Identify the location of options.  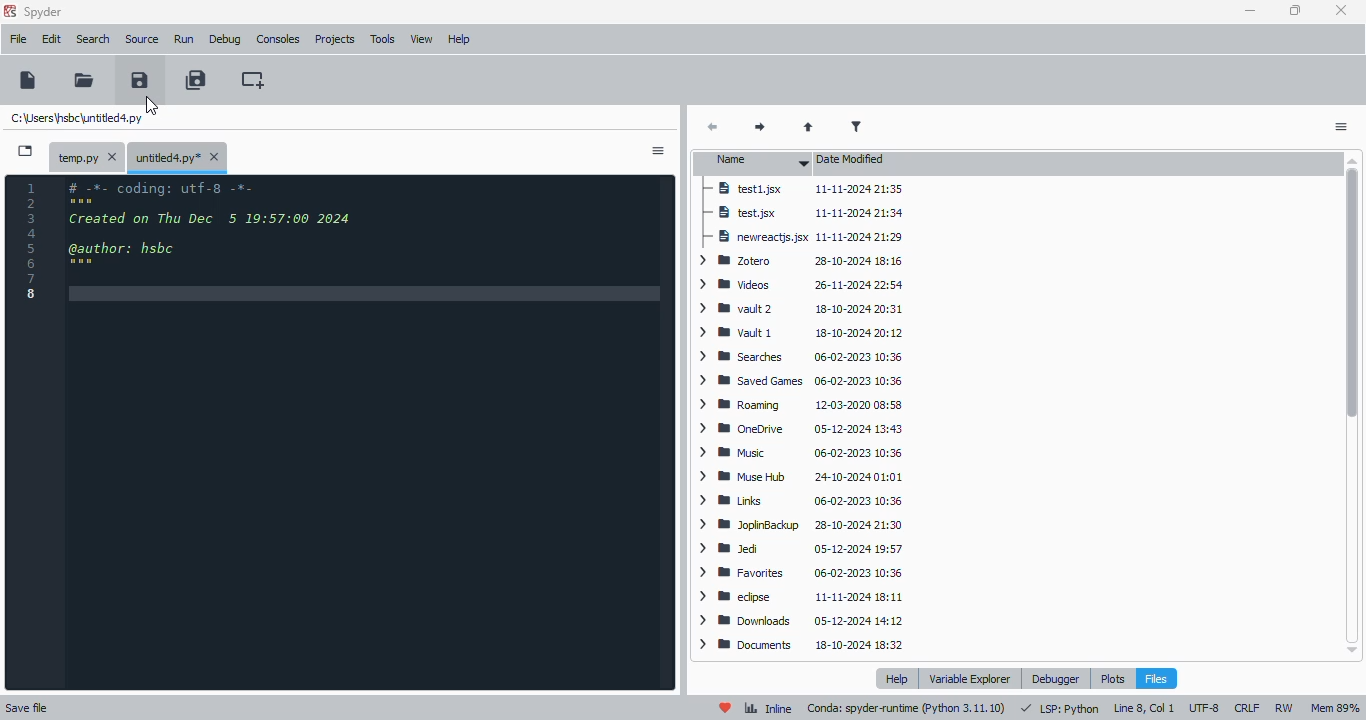
(658, 151).